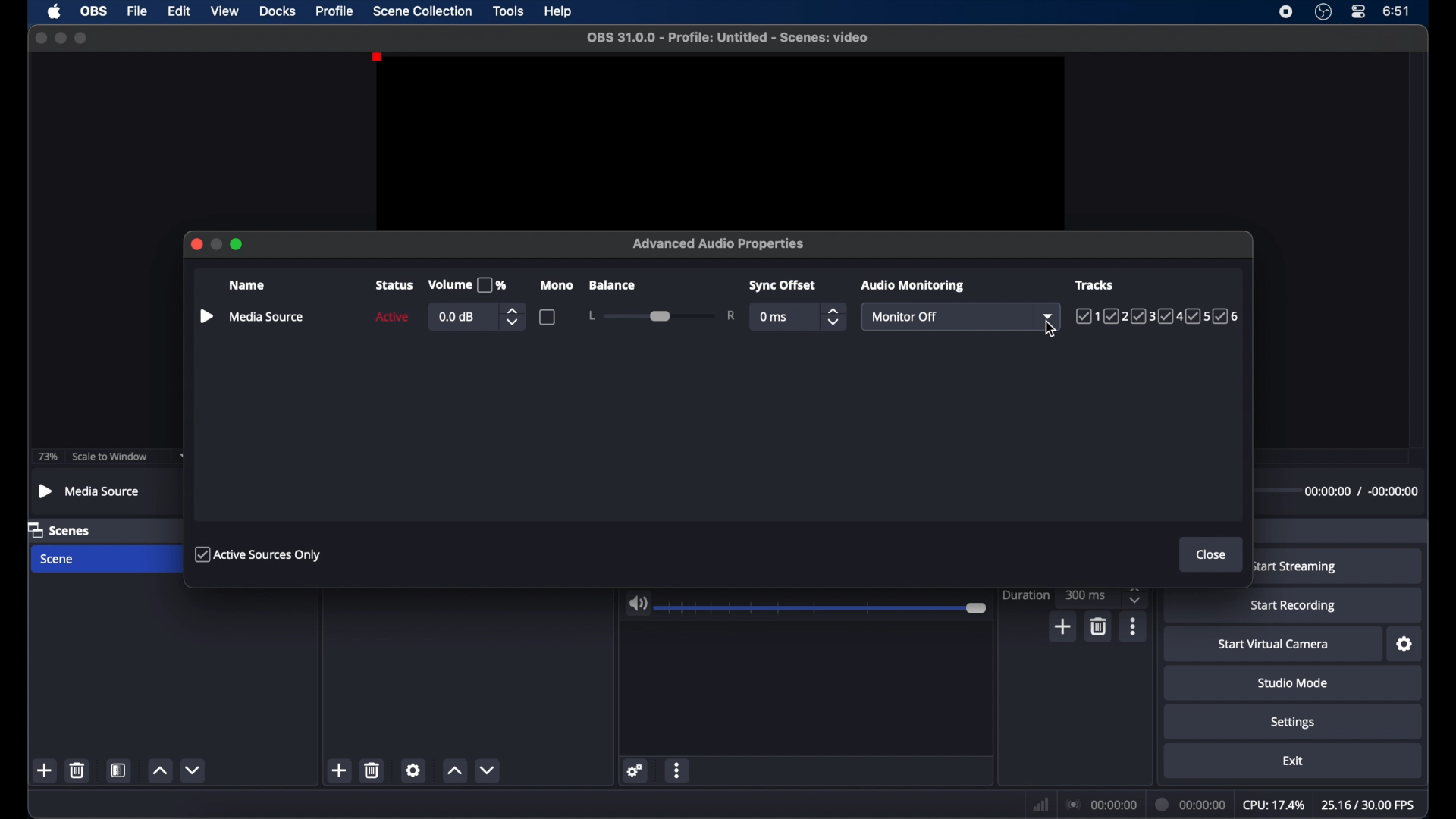 The width and height of the screenshot is (1456, 819). What do you see at coordinates (414, 770) in the screenshot?
I see `settings` at bounding box center [414, 770].